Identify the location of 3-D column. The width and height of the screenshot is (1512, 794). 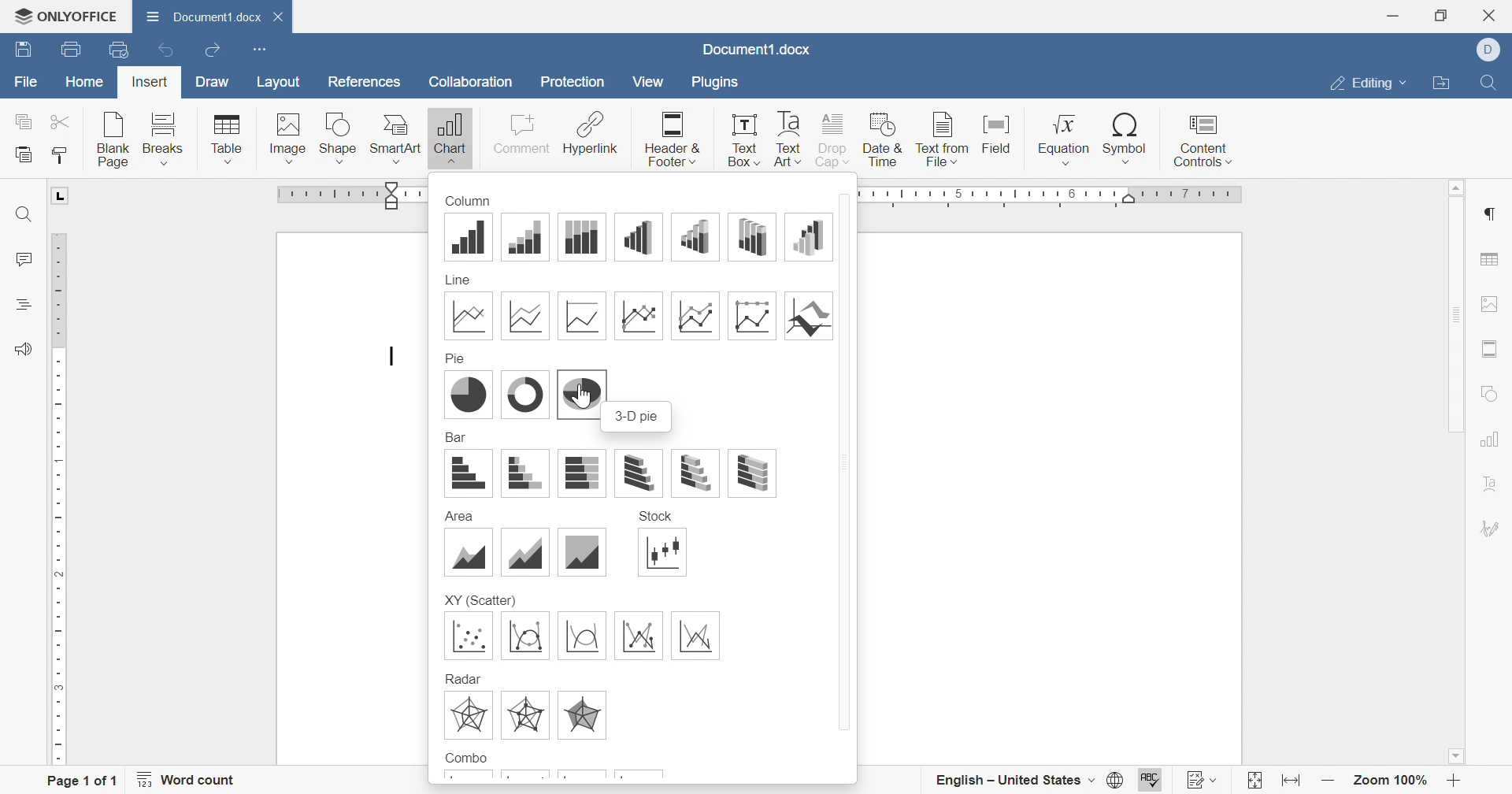
(808, 236).